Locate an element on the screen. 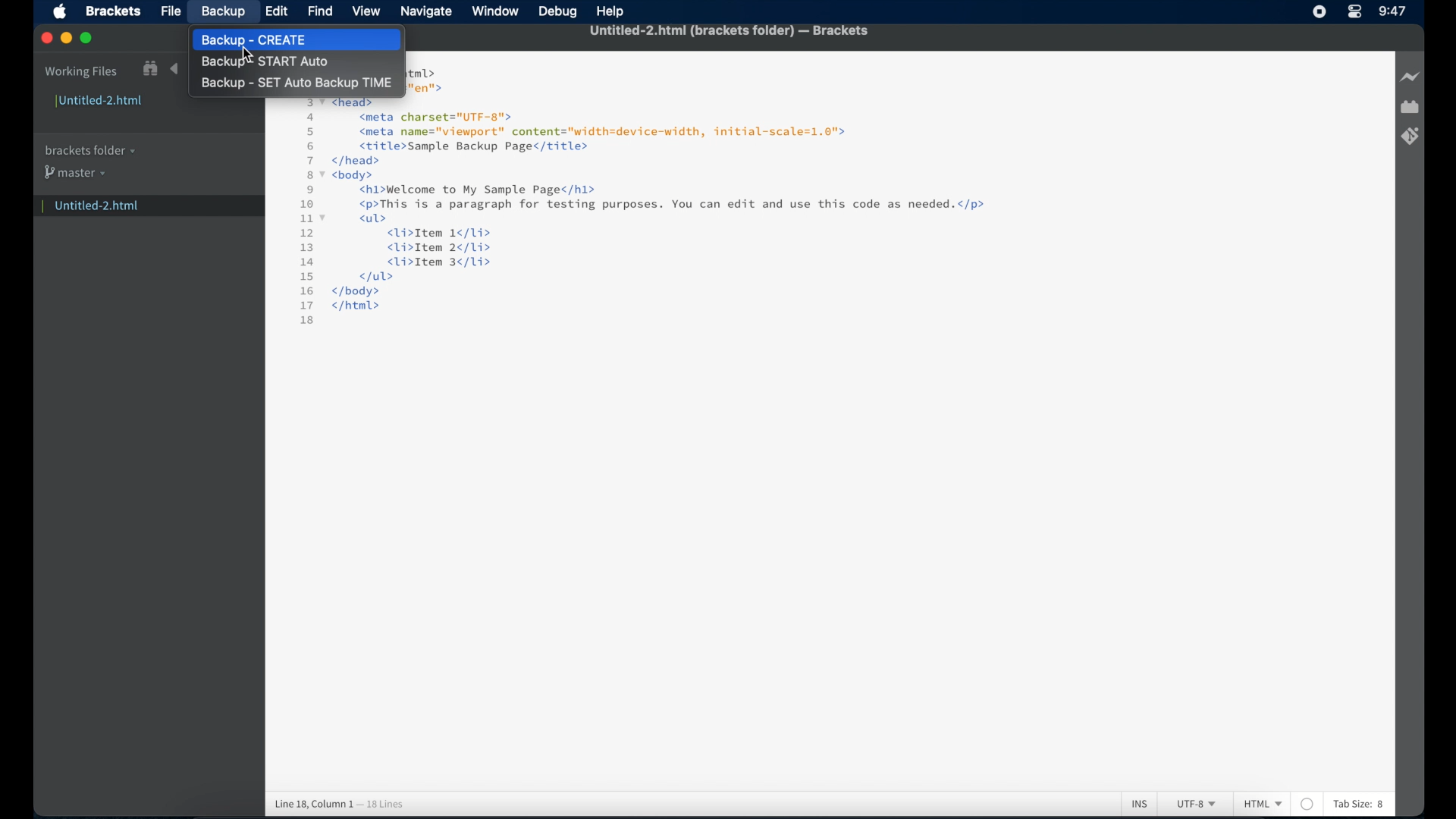 The image size is (1456, 819). help is located at coordinates (611, 11).